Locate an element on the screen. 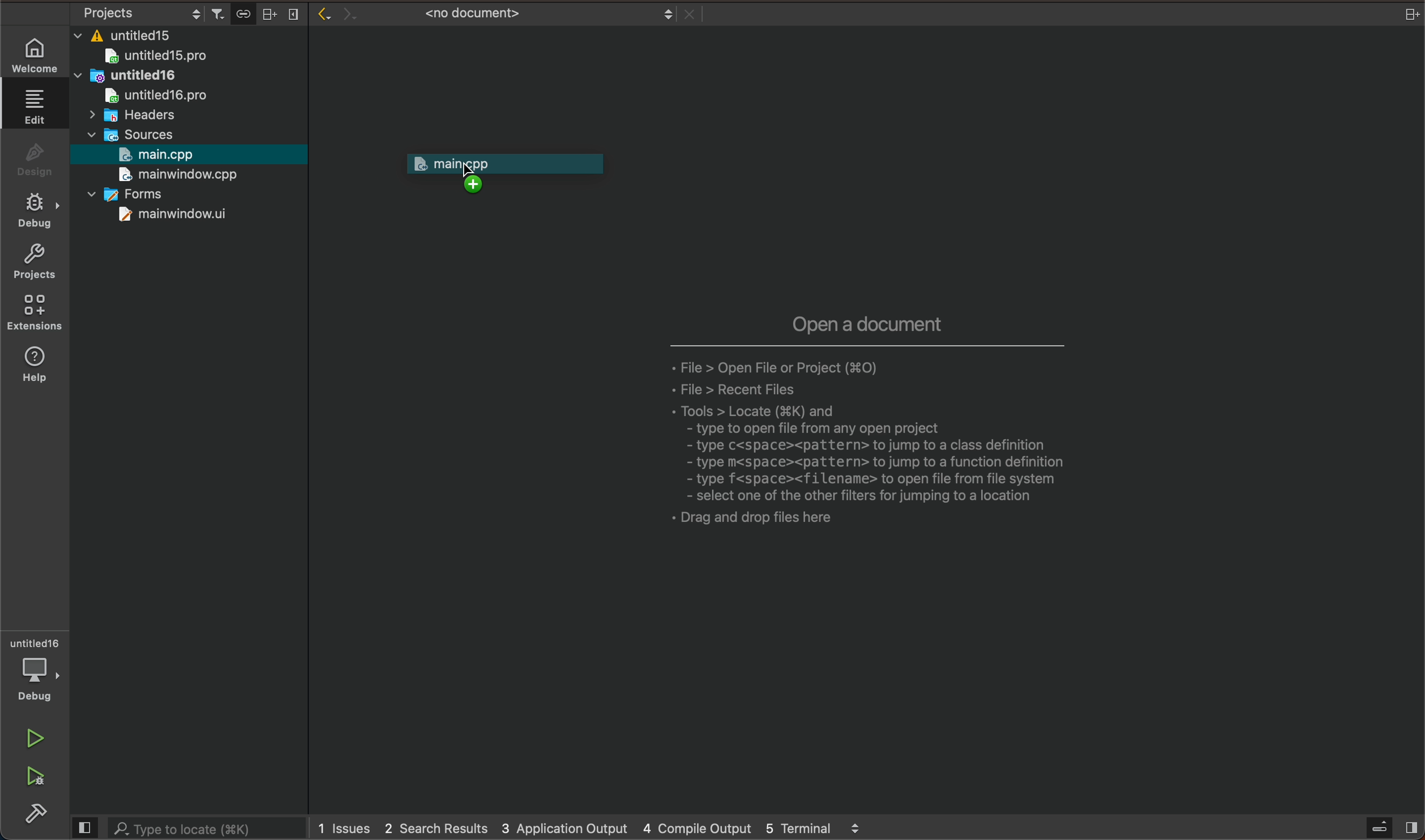 Image resolution: width=1425 pixels, height=840 pixels. drag to is located at coordinates (506, 169).